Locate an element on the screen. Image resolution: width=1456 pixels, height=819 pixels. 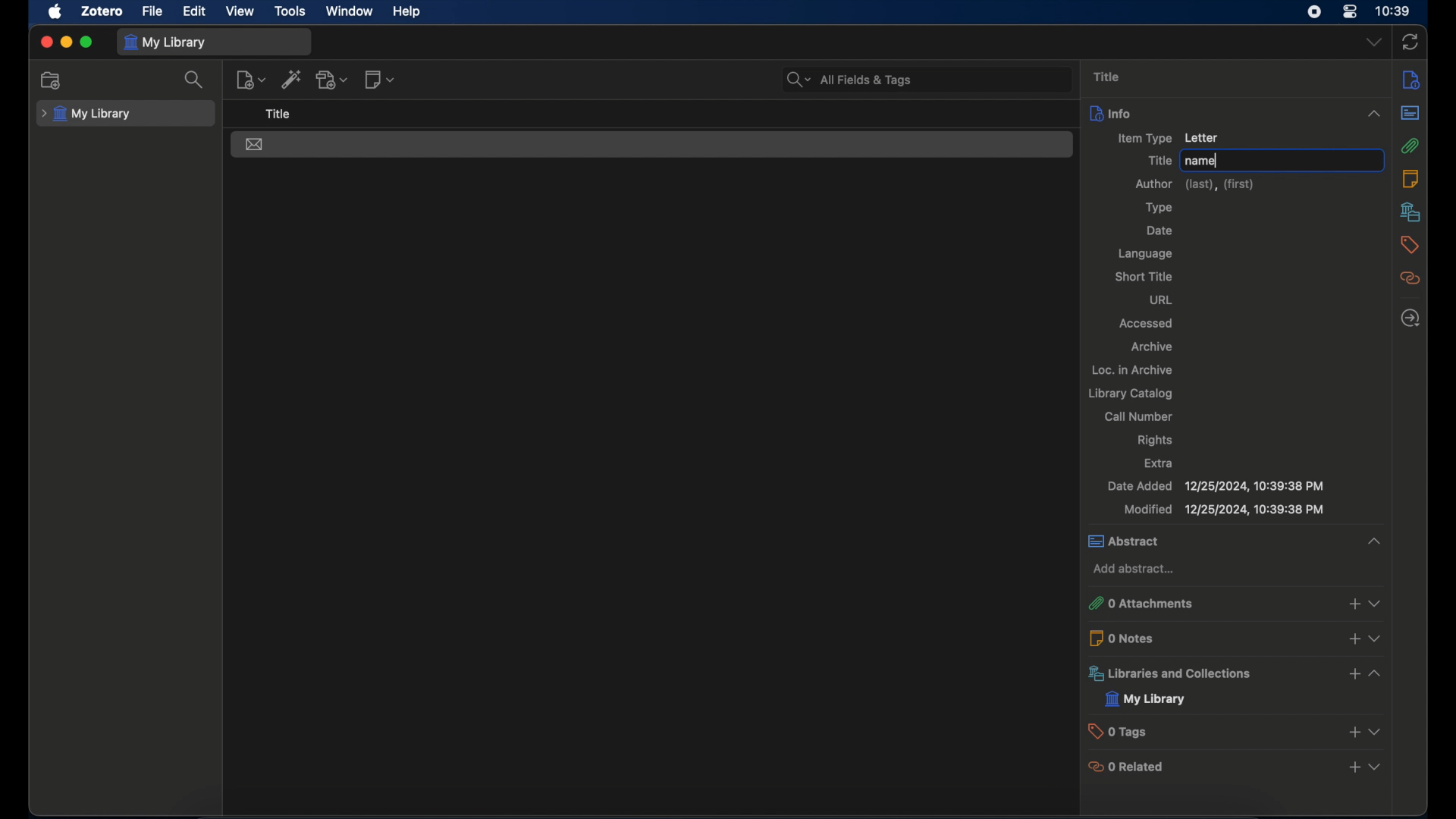
add is located at coordinates (1353, 674).